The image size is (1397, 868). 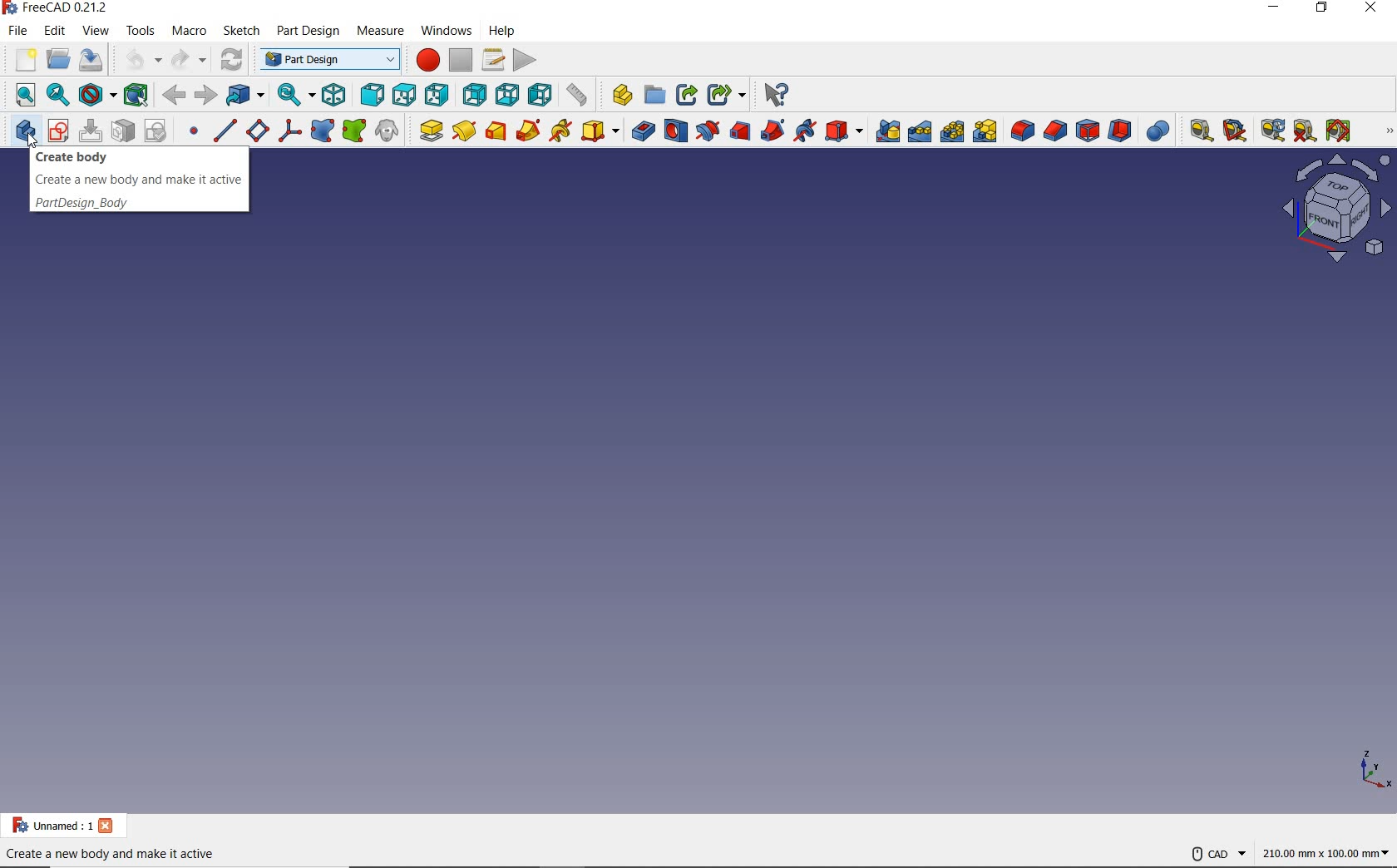 I want to click on VIEW, so click(x=97, y=31).